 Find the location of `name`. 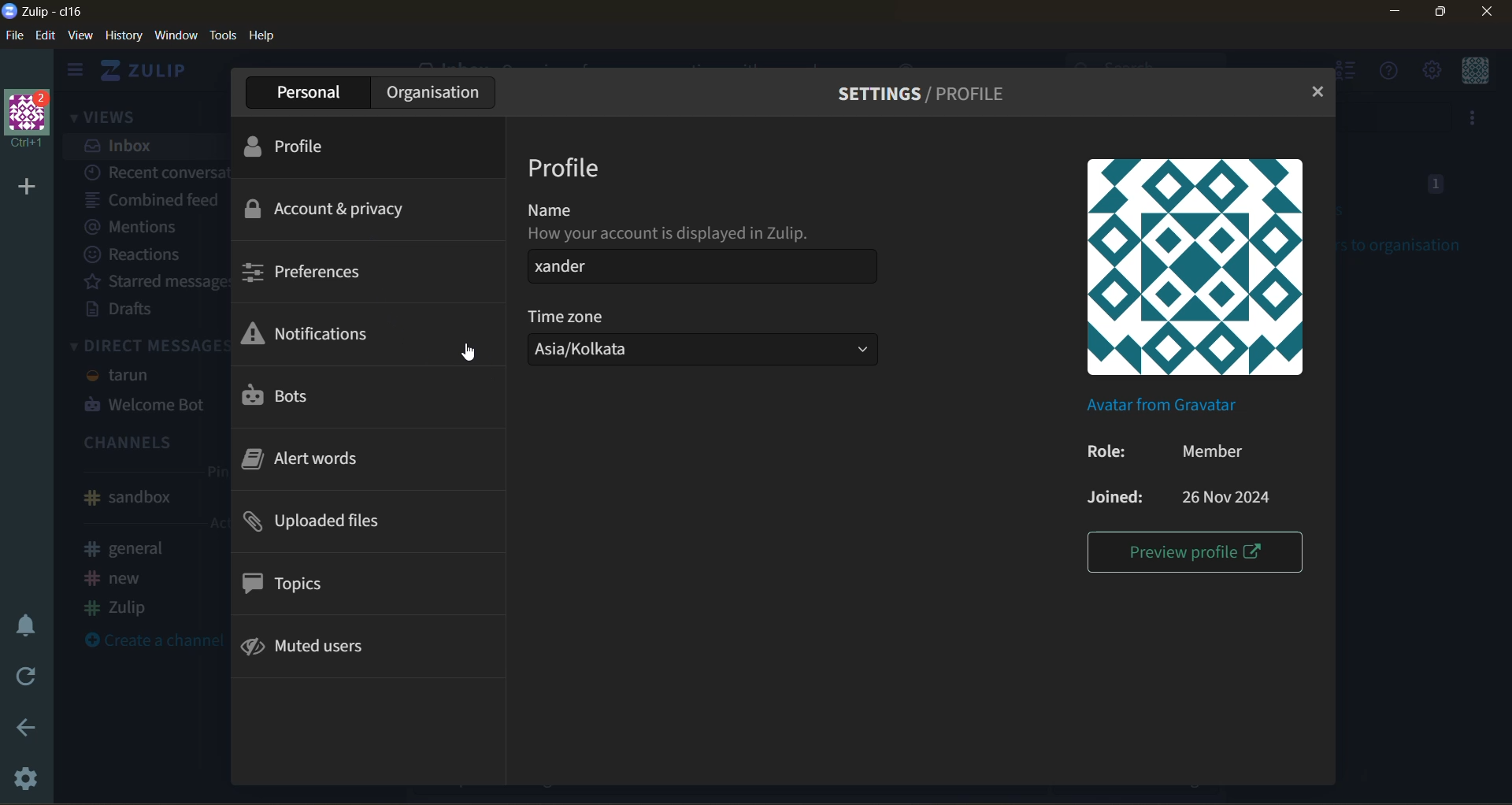

name is located at coordinates (719, 248).